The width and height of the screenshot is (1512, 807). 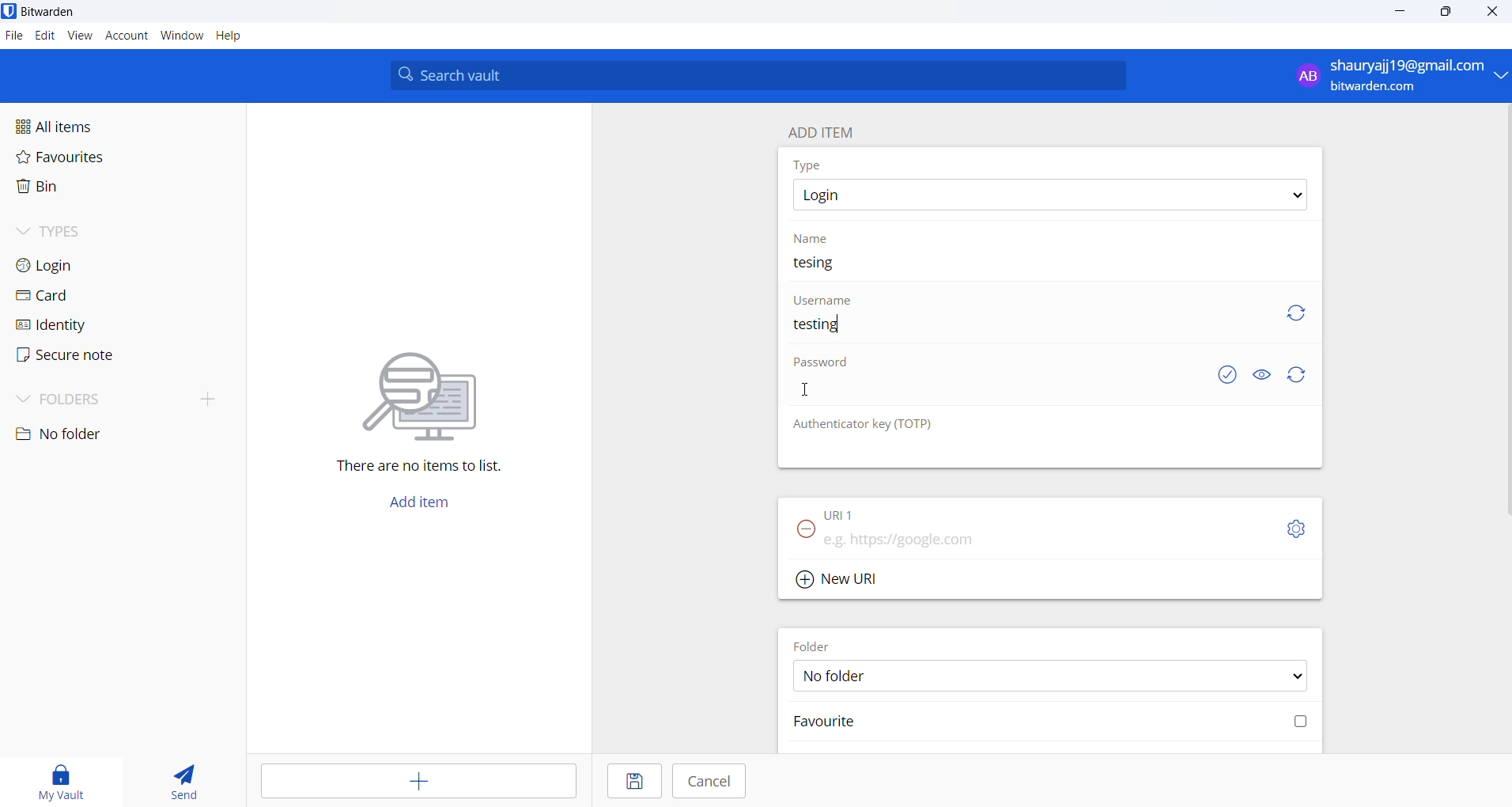 I want to click on card, so click(x=89, y=296).